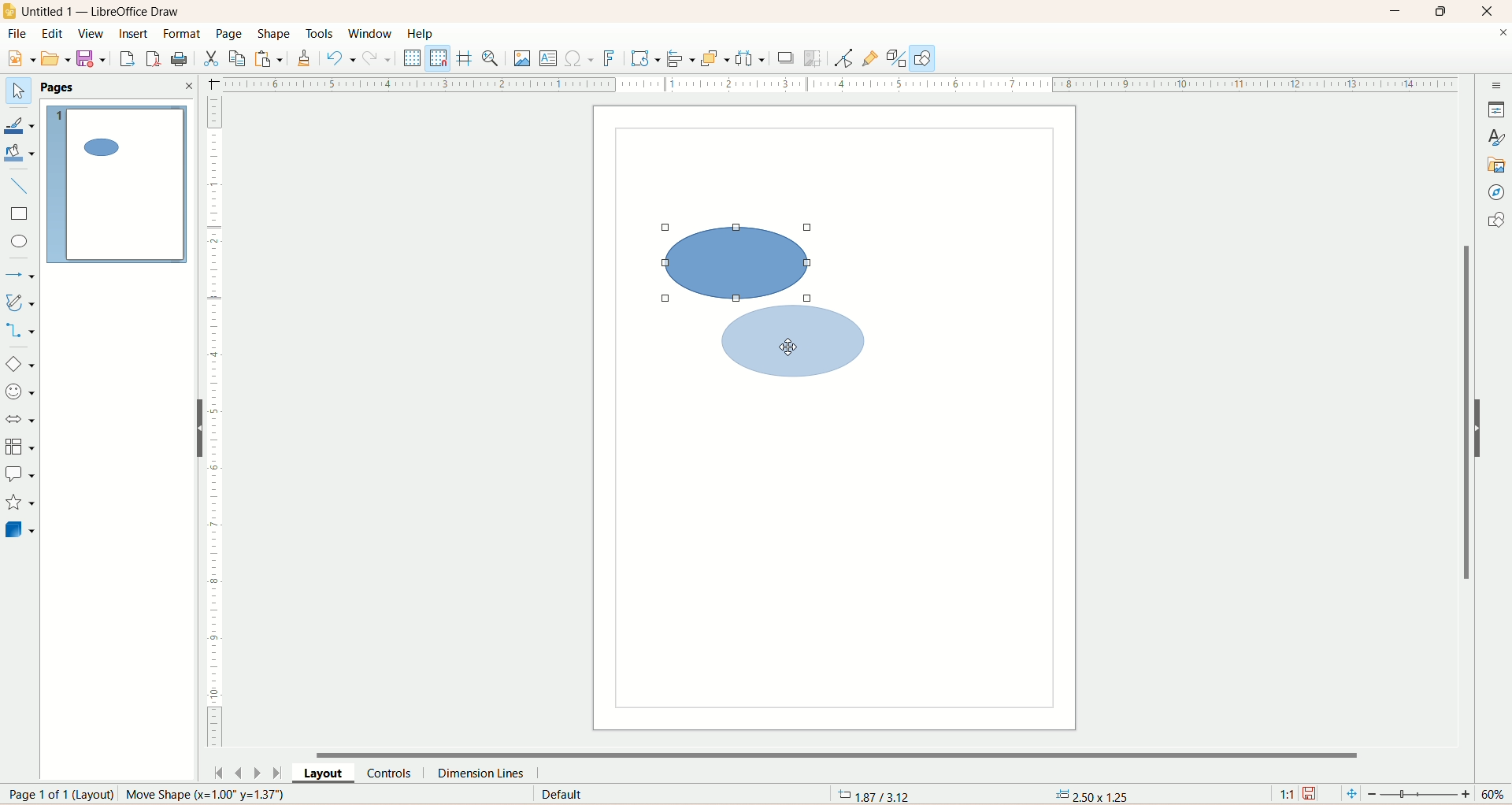  Describe the element at coordinates (276, 33) in the screenshot. I see `shape` at that location.